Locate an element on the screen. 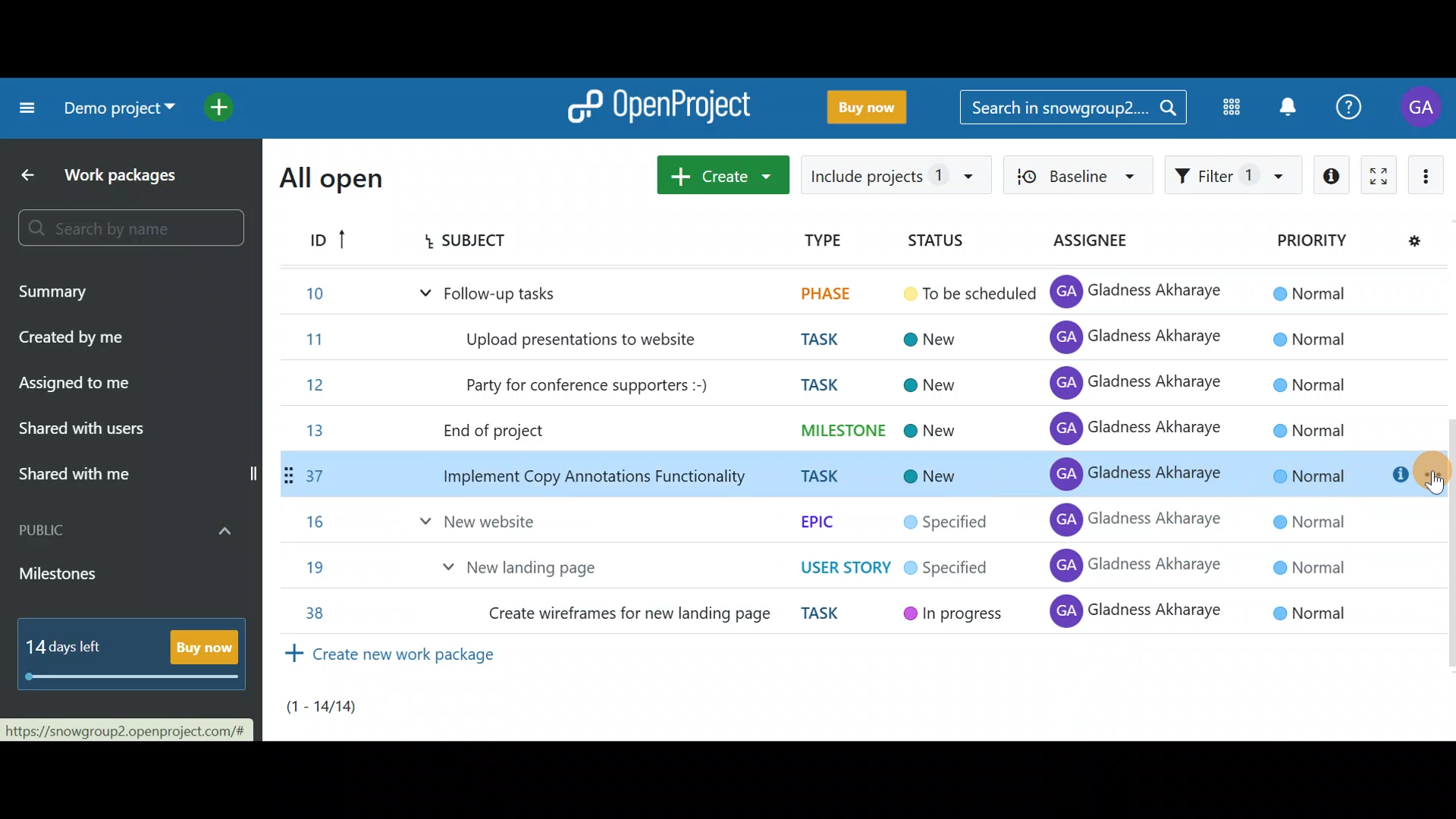 This screenshot has height=819, width=1456. Include projects is located at coordinates (893, 175).